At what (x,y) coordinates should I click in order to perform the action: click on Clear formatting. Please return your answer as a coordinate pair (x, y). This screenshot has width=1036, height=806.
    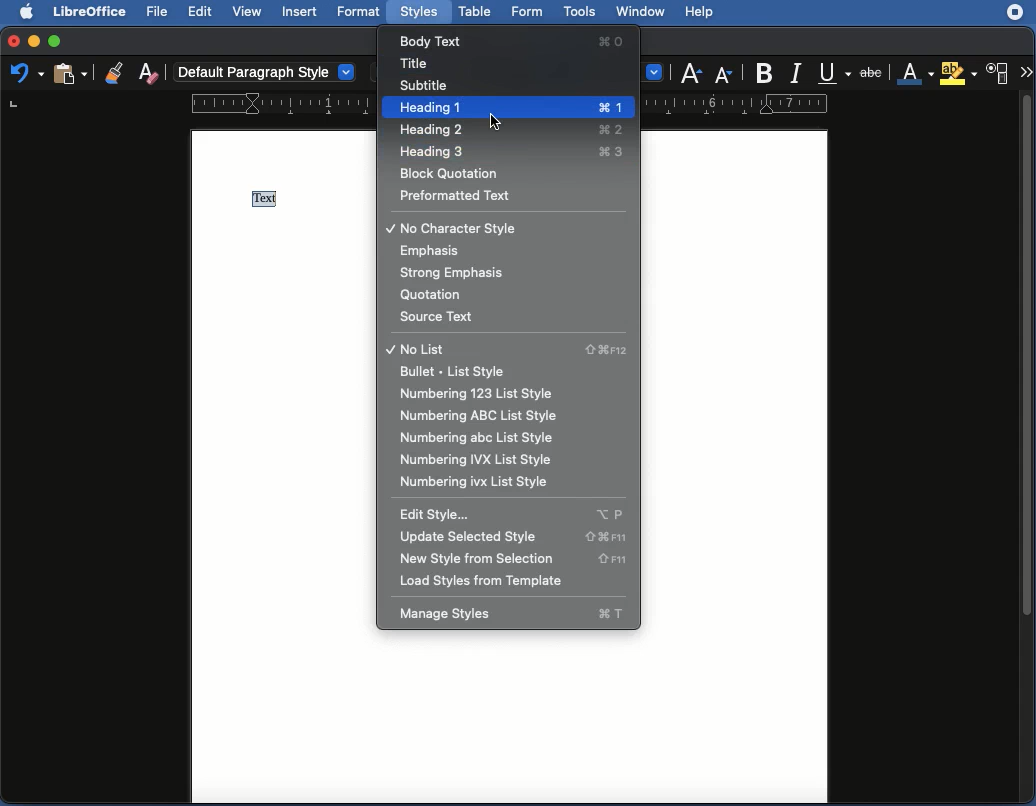
    Looking at the image, I should click on (153, 72).